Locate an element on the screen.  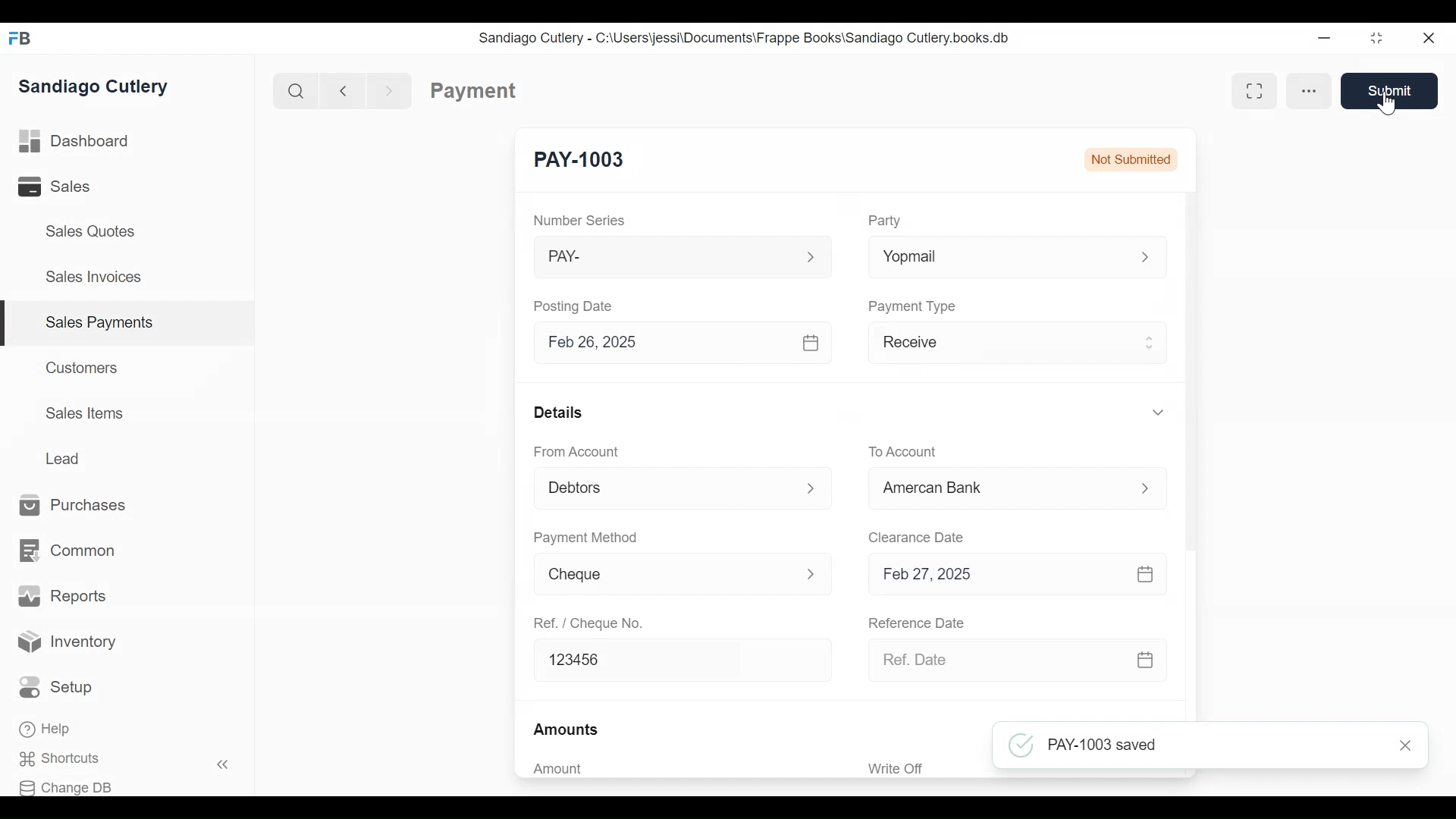
Dashboard is located at coordinates (74, 142).